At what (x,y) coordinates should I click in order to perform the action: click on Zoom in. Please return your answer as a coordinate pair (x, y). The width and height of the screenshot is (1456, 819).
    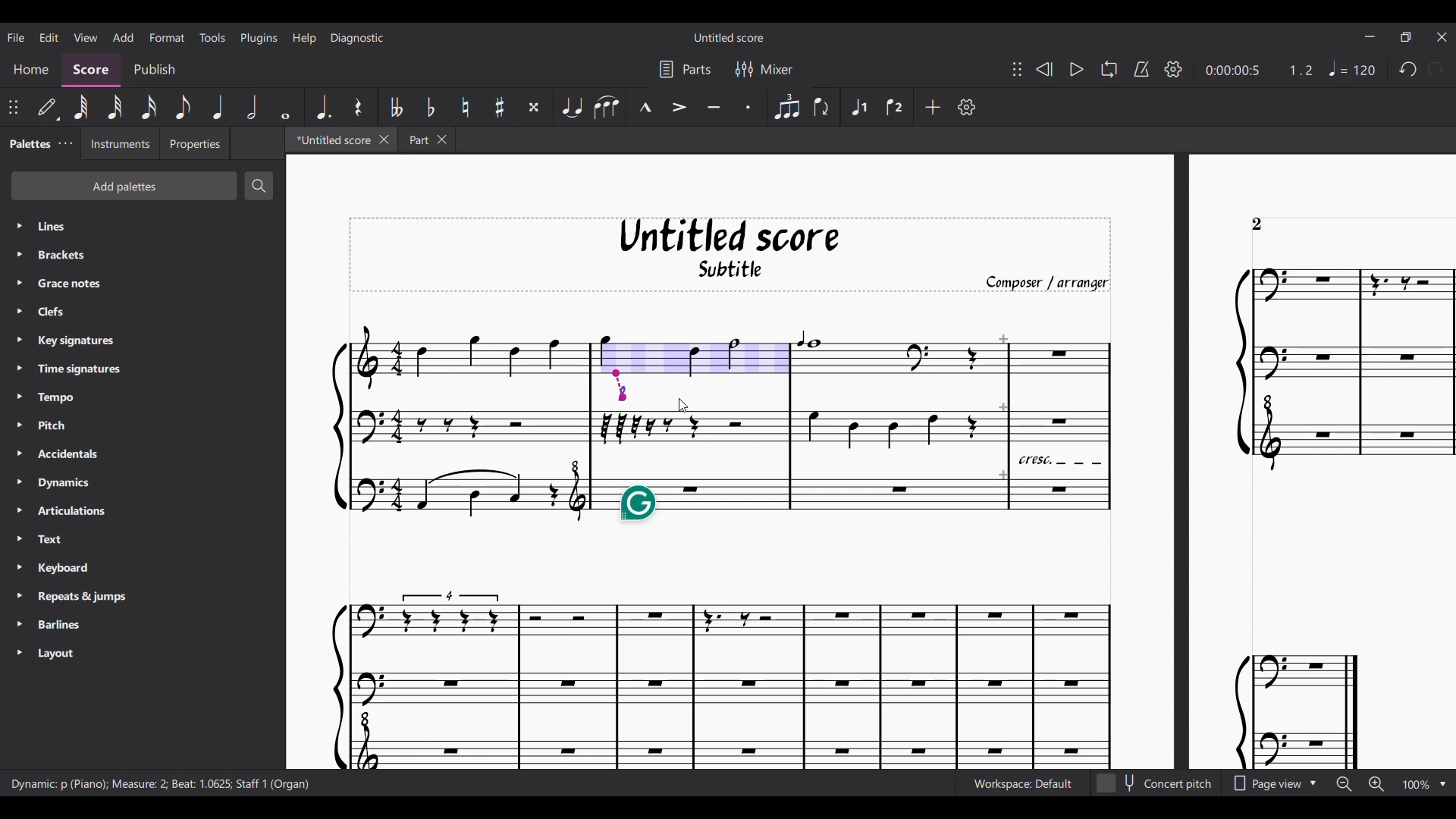
    Looking at the image, I should click on (1376, 784).